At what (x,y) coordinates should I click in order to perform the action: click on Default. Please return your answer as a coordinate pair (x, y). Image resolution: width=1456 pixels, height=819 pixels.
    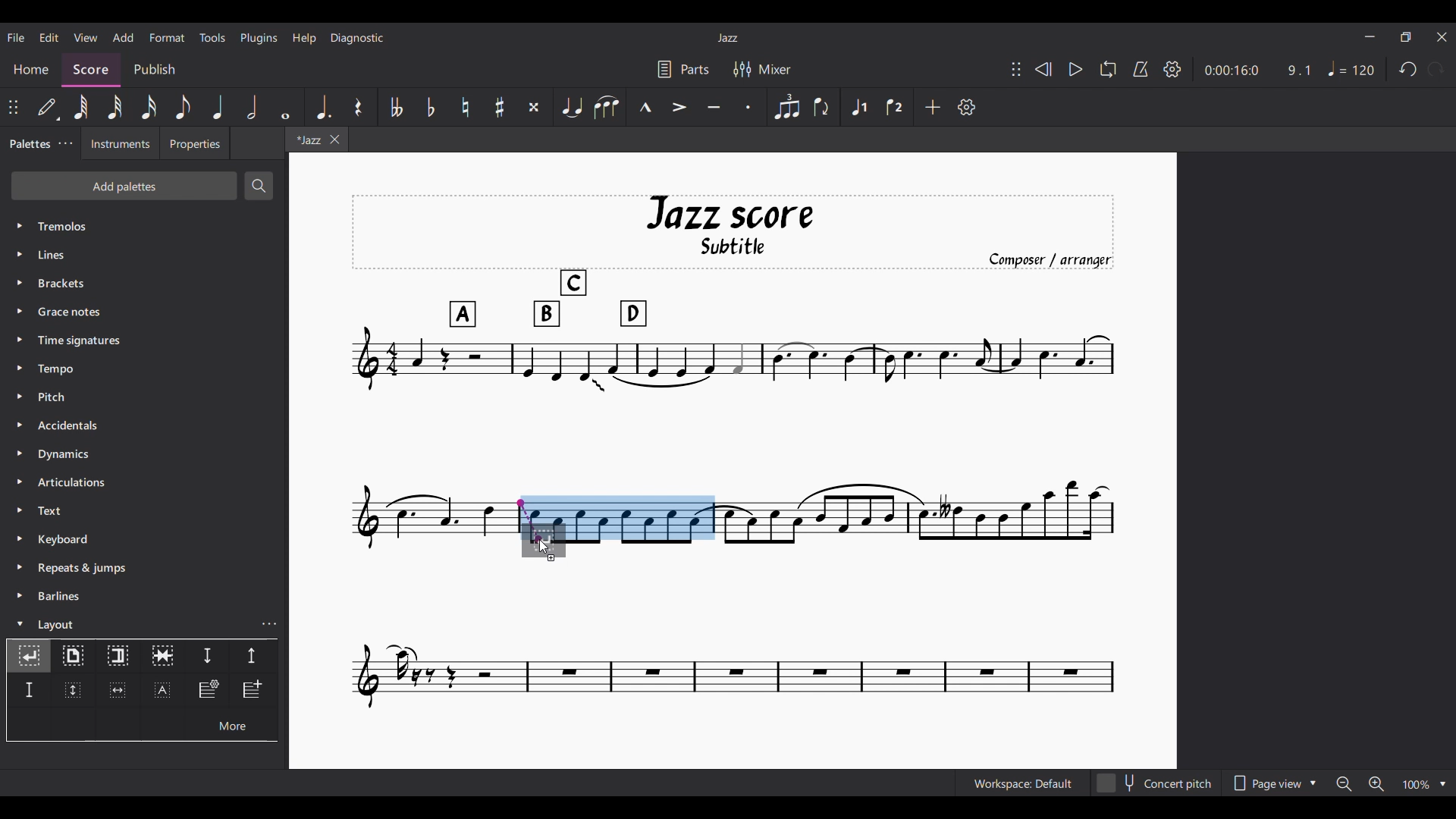
    Looking at the image, I should click on (46, 107).